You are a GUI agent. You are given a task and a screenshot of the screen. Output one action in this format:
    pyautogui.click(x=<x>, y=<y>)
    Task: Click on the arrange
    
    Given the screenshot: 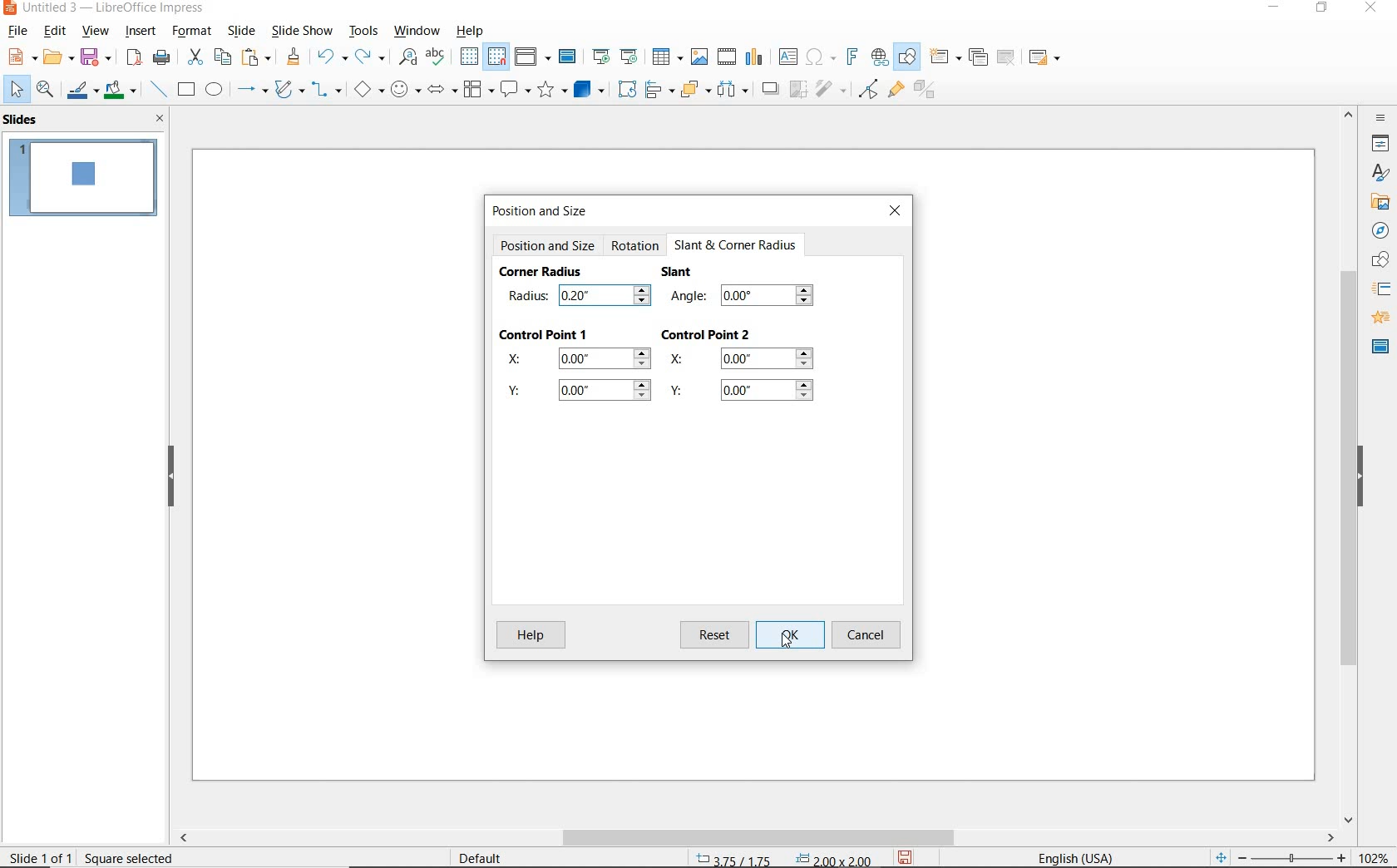 What is the action you would take?
    pyautogui.click(x=695, y=91)
    